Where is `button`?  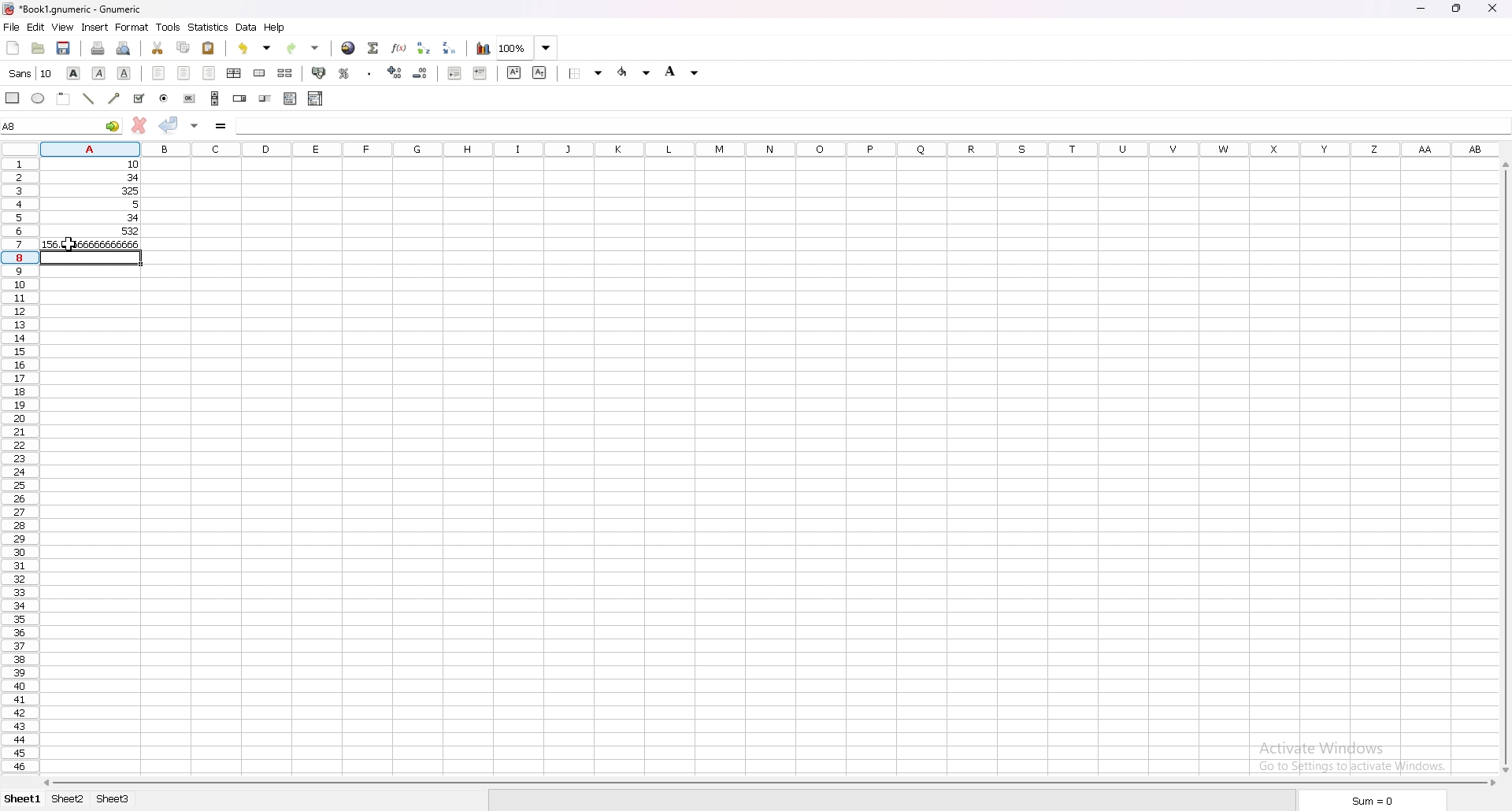
button is located at coordinates (190, 98).